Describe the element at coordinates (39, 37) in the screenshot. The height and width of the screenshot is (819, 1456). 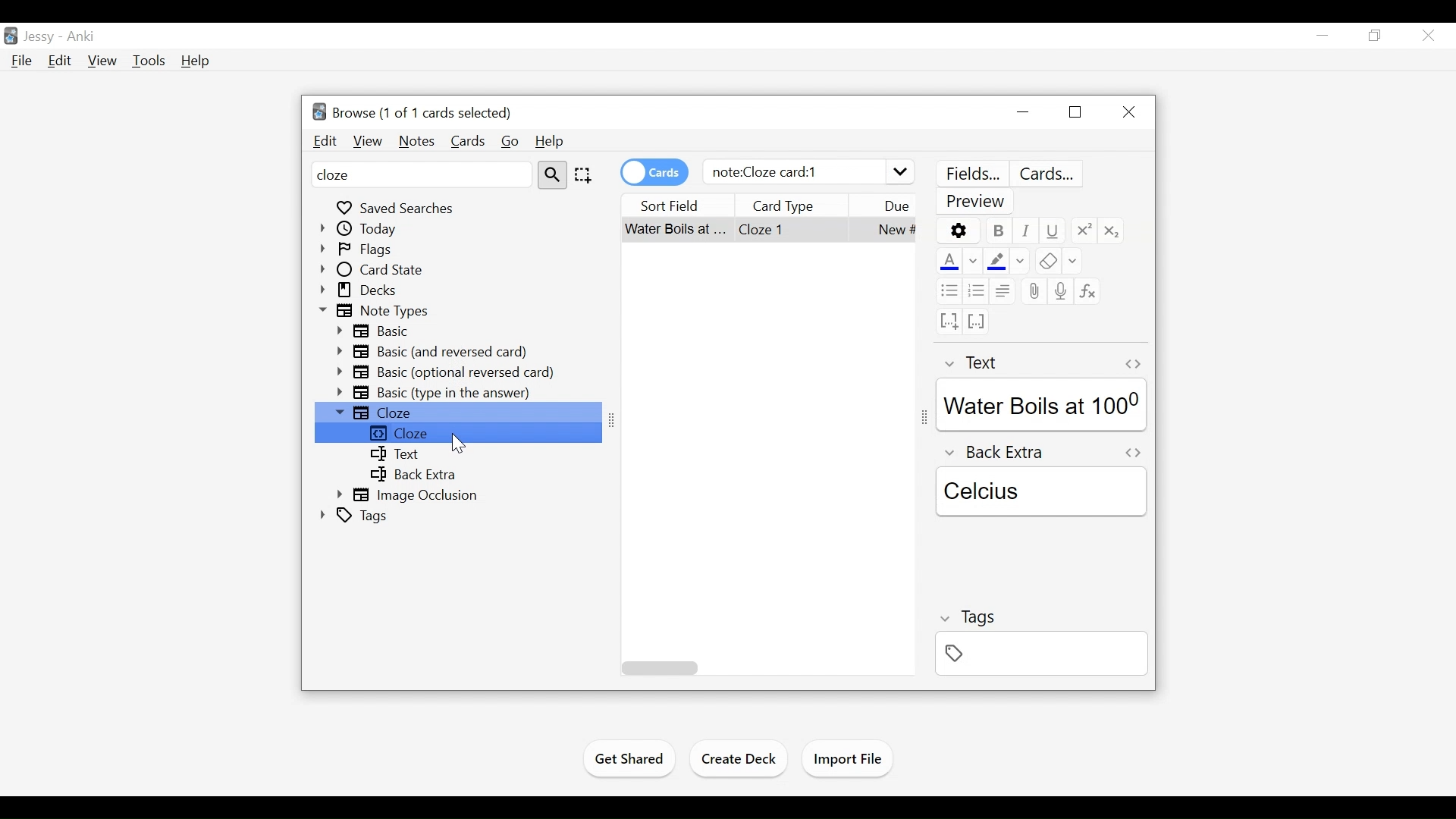
I see `User Name` at that location.